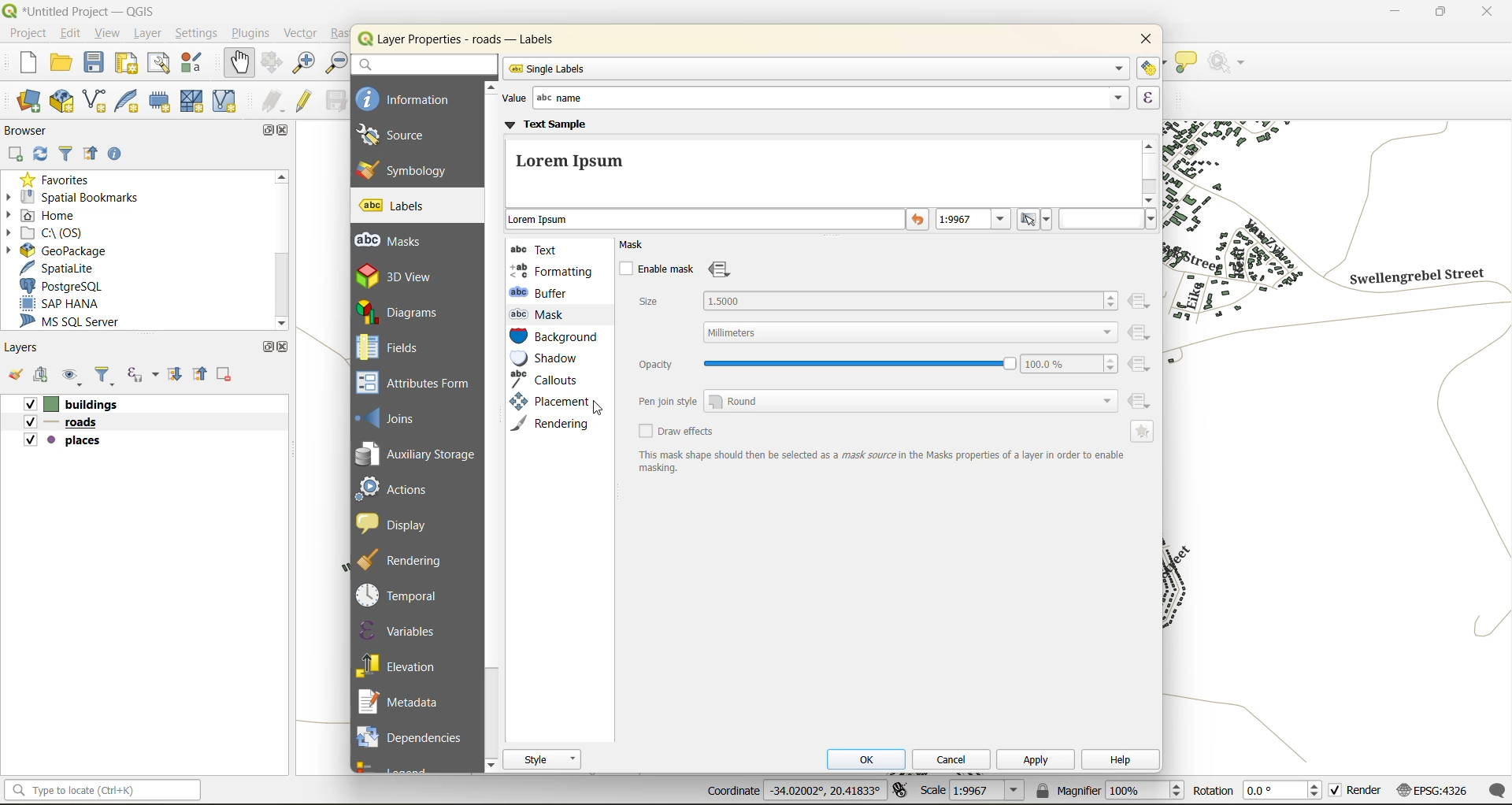  I want to click on save, so click(94, 62).